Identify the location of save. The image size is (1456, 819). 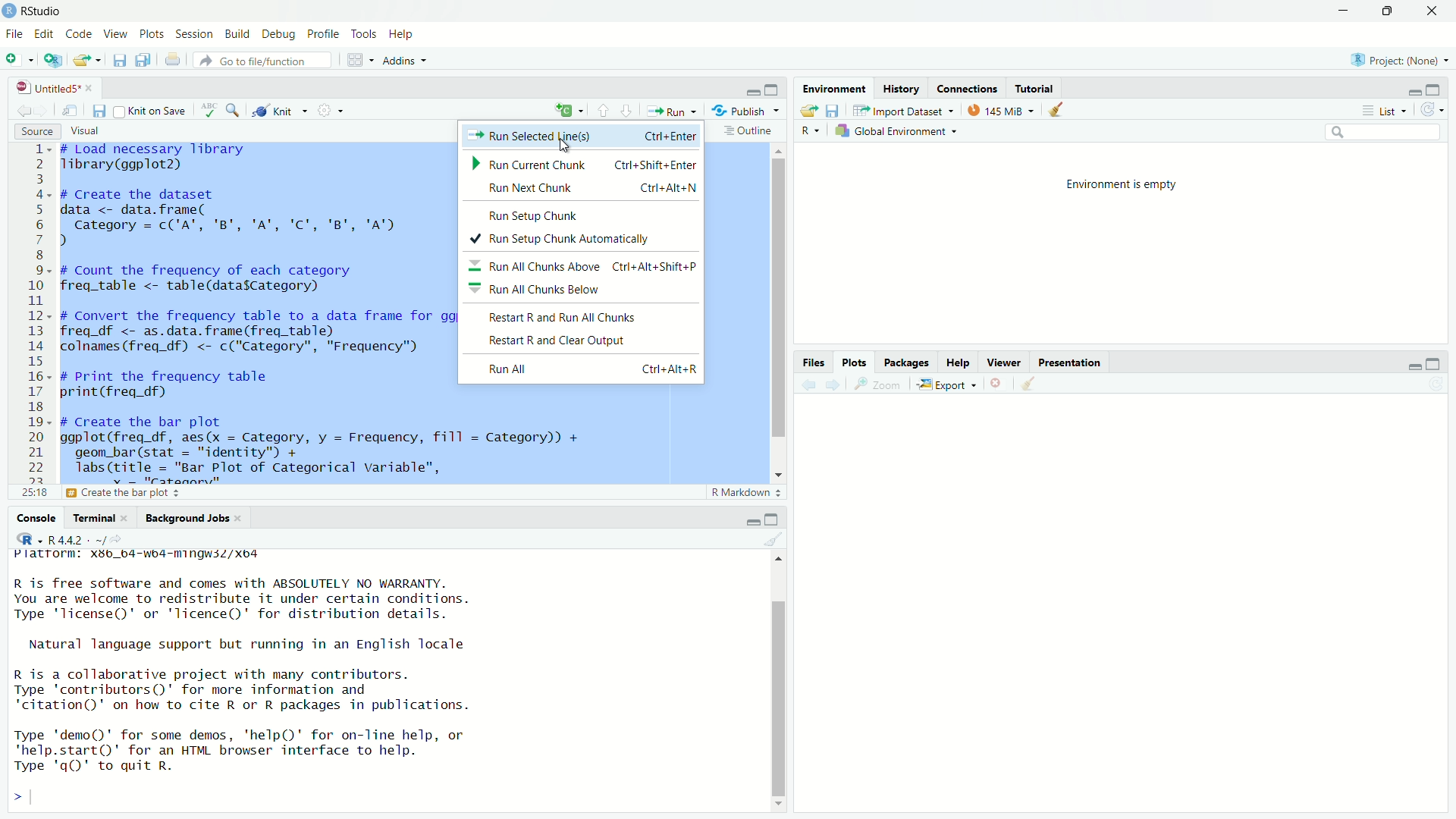
(122, 60).